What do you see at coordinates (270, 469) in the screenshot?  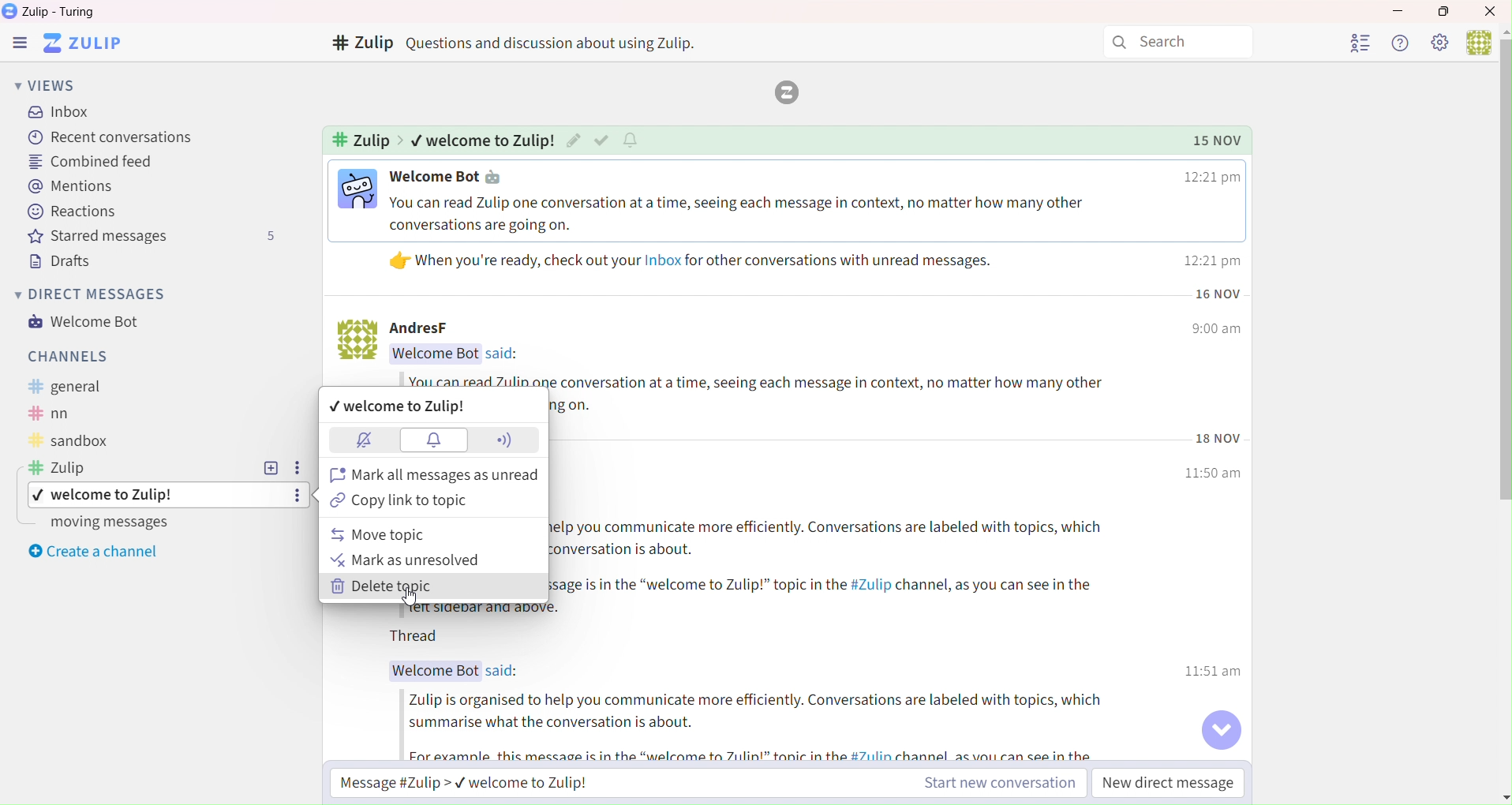 I see `Add` at bounding box center [270, 469].